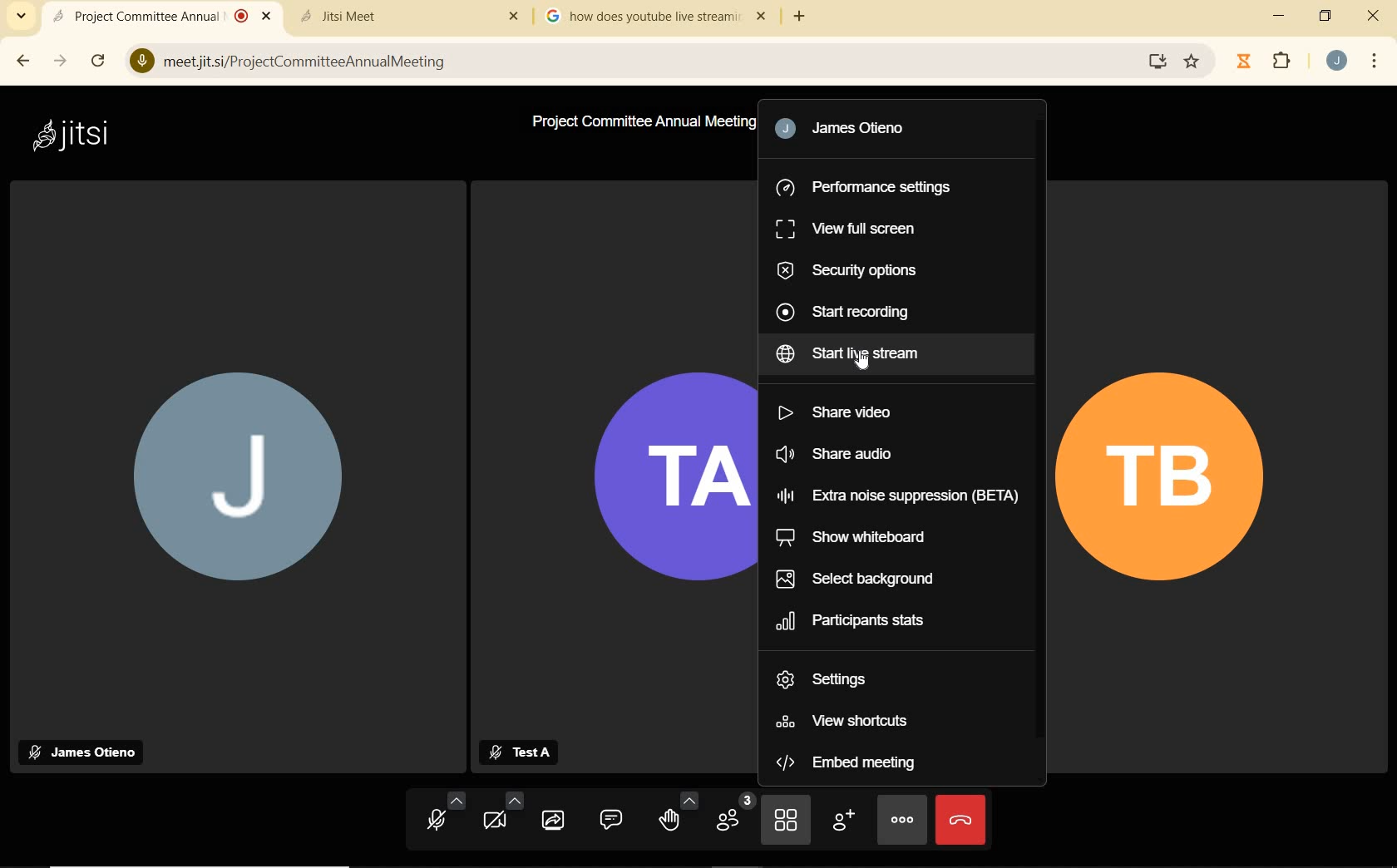 This screenshot has height=868, width=1397. I want to click on start recording, so click(849, 311).